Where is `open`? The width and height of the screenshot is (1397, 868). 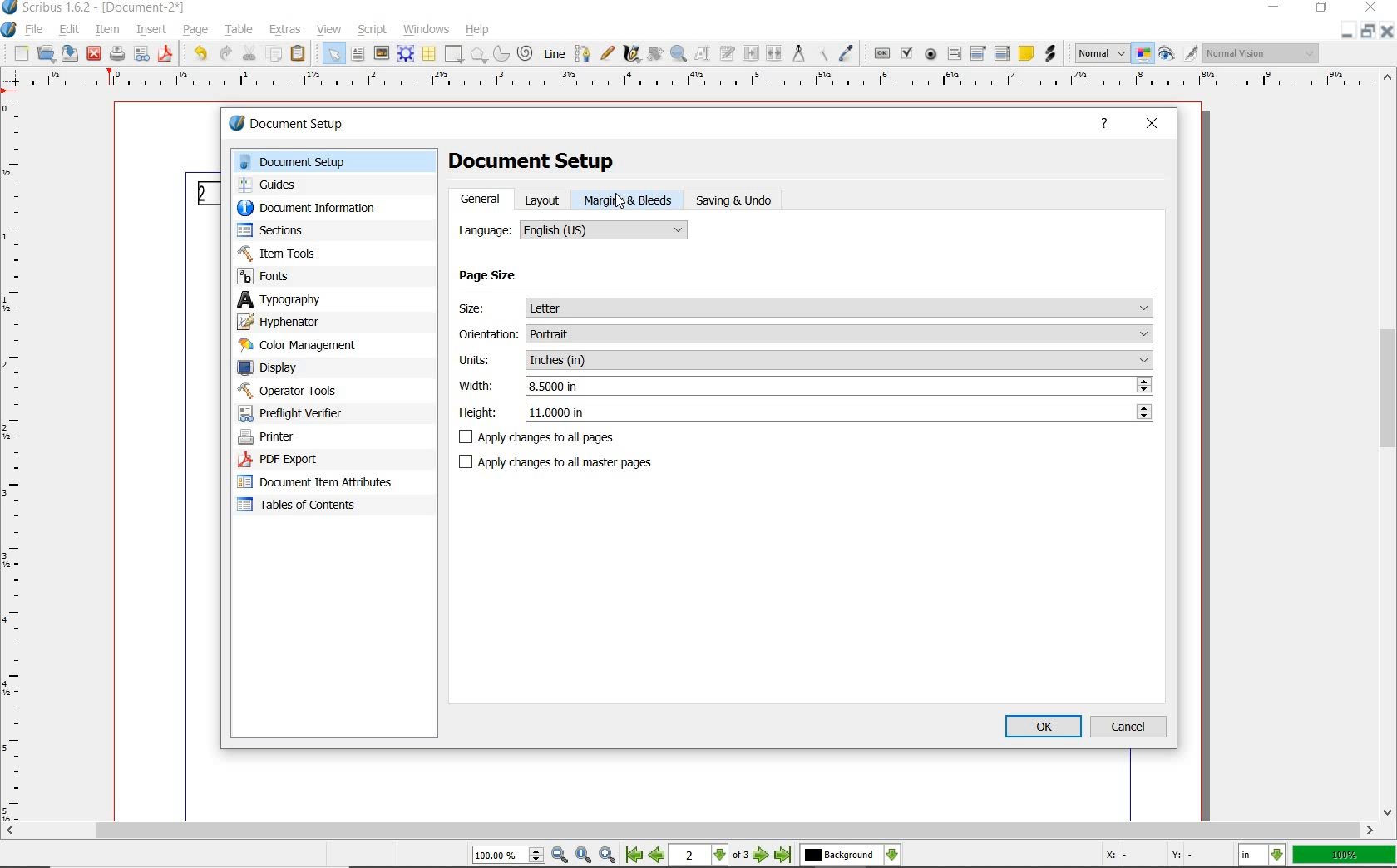
open is located at coordinates (47, 55).